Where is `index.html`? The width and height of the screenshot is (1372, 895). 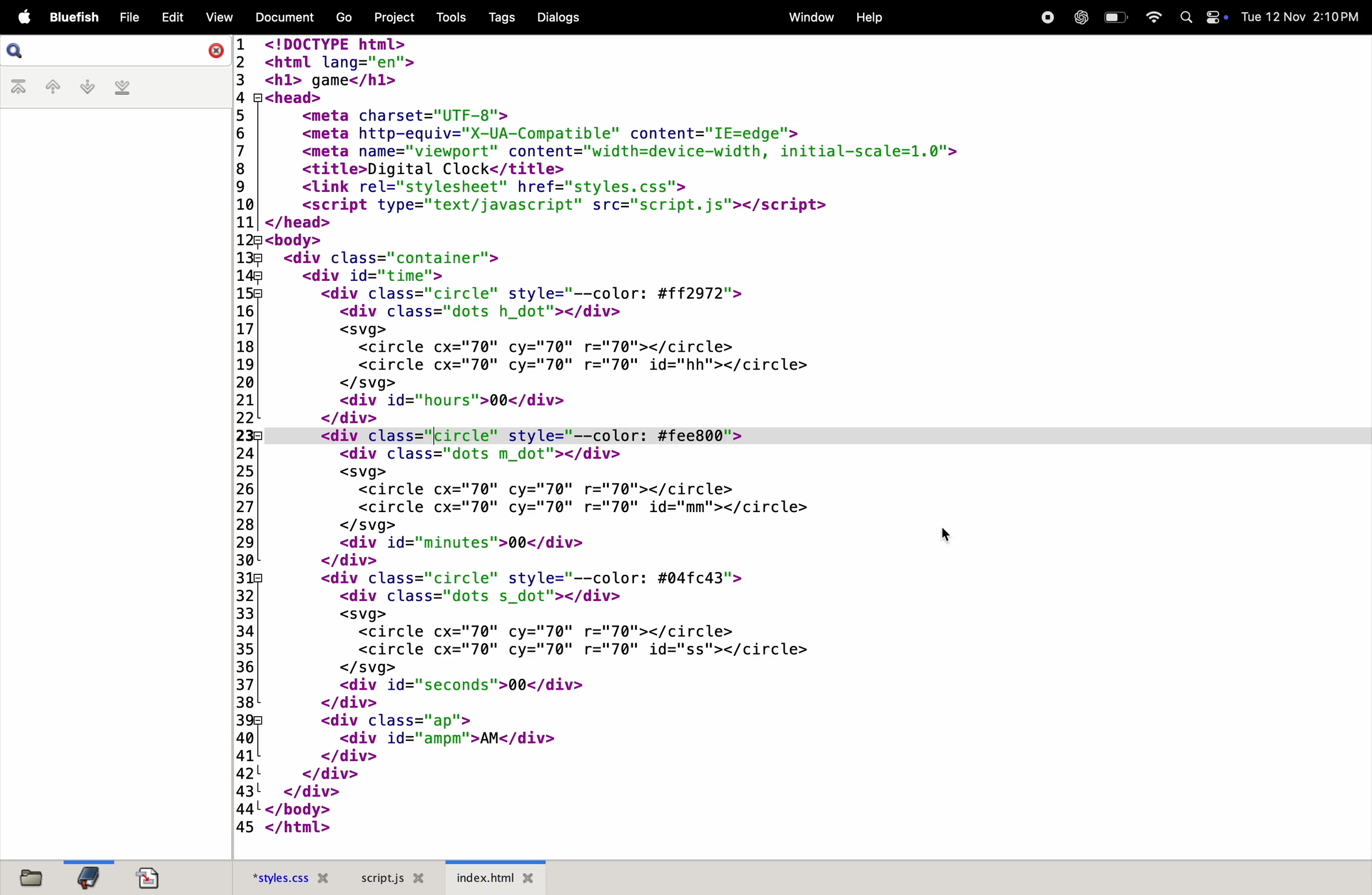 index.html is located at coordinates (495, 877).